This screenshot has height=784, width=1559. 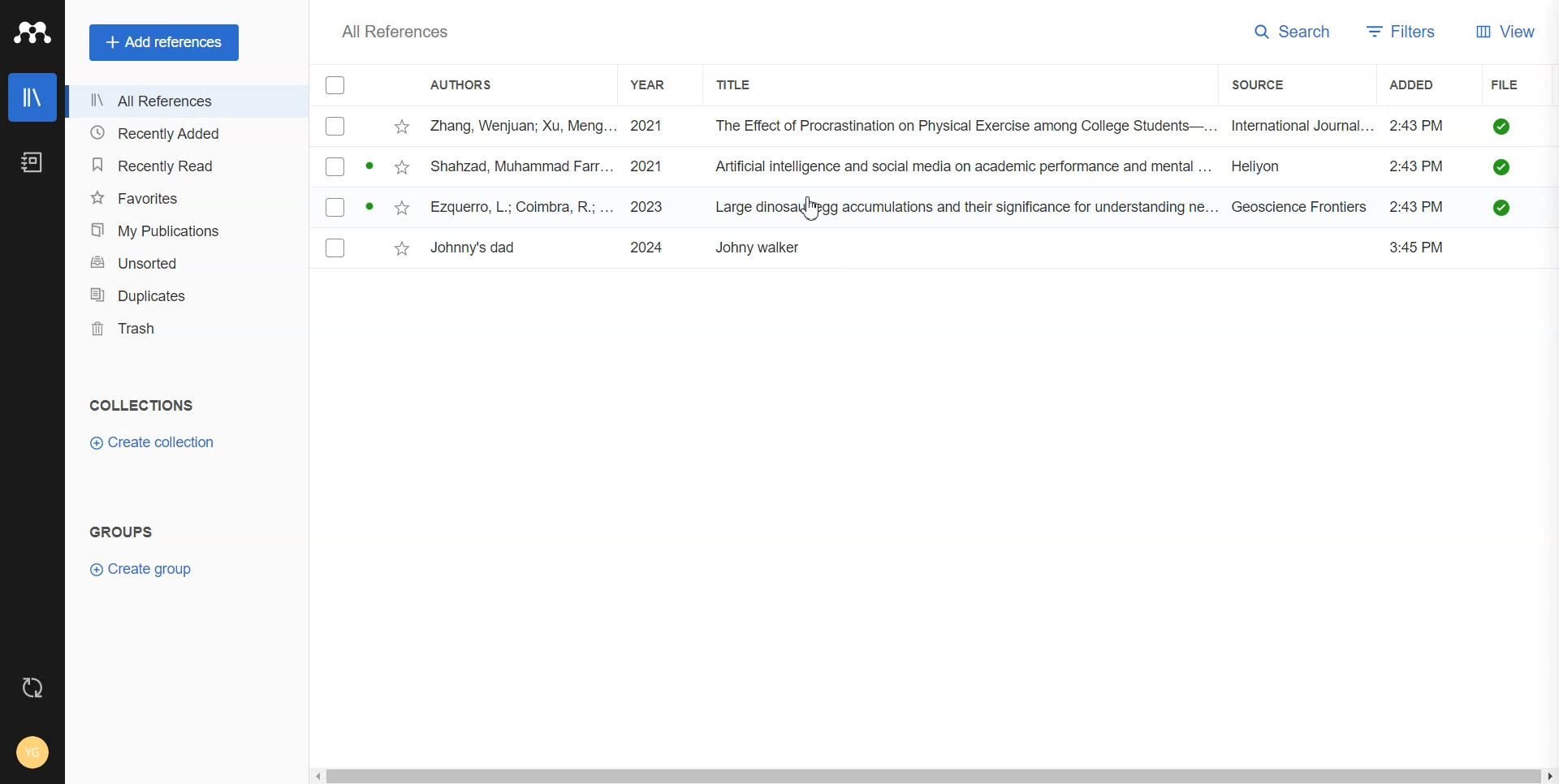 What do you see at coordinates (1514, 32) in the screenshot?
I see `View` at bounding box center [1514, 32].